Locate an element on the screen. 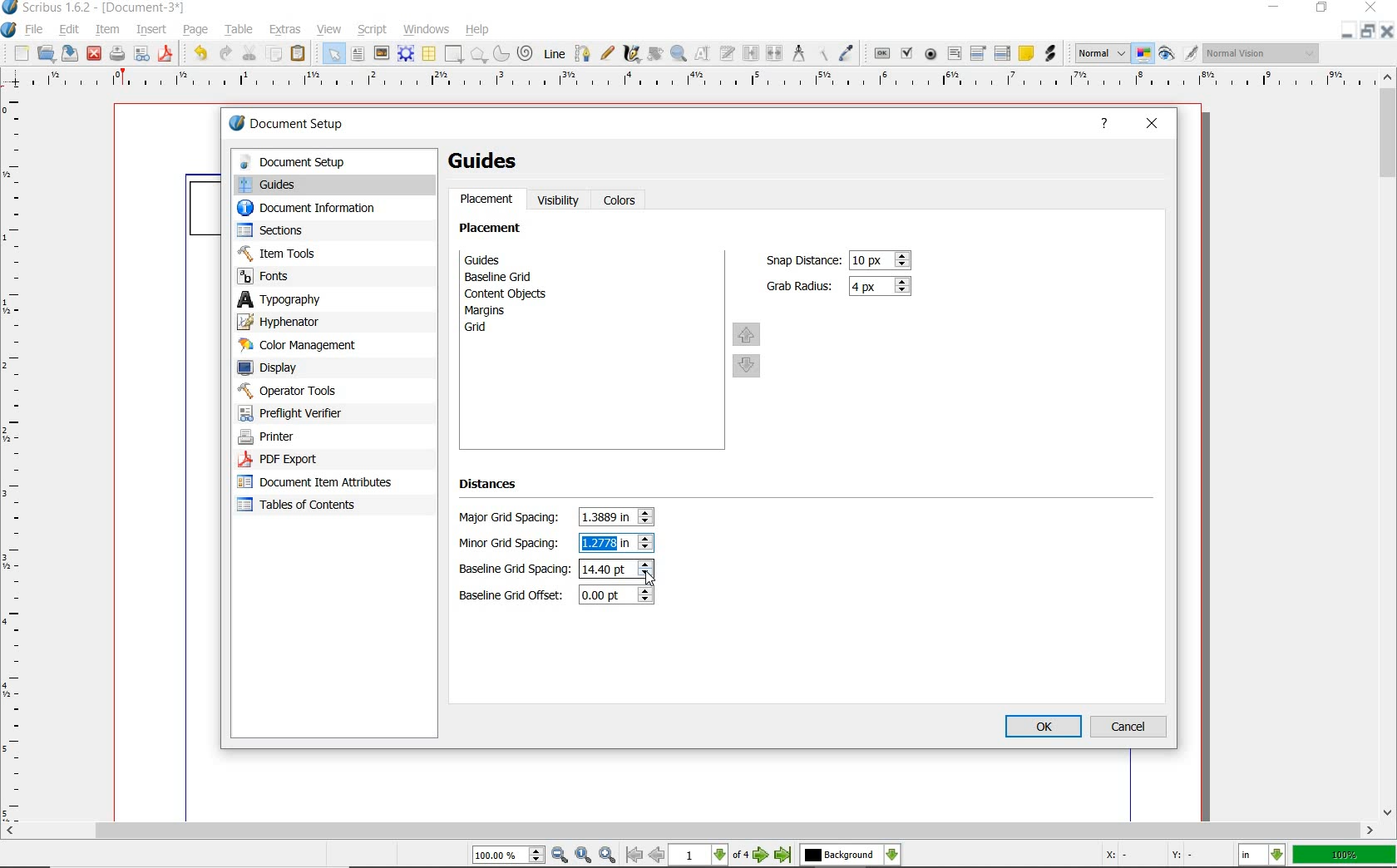  image frame is located at coordinates (382, 54).